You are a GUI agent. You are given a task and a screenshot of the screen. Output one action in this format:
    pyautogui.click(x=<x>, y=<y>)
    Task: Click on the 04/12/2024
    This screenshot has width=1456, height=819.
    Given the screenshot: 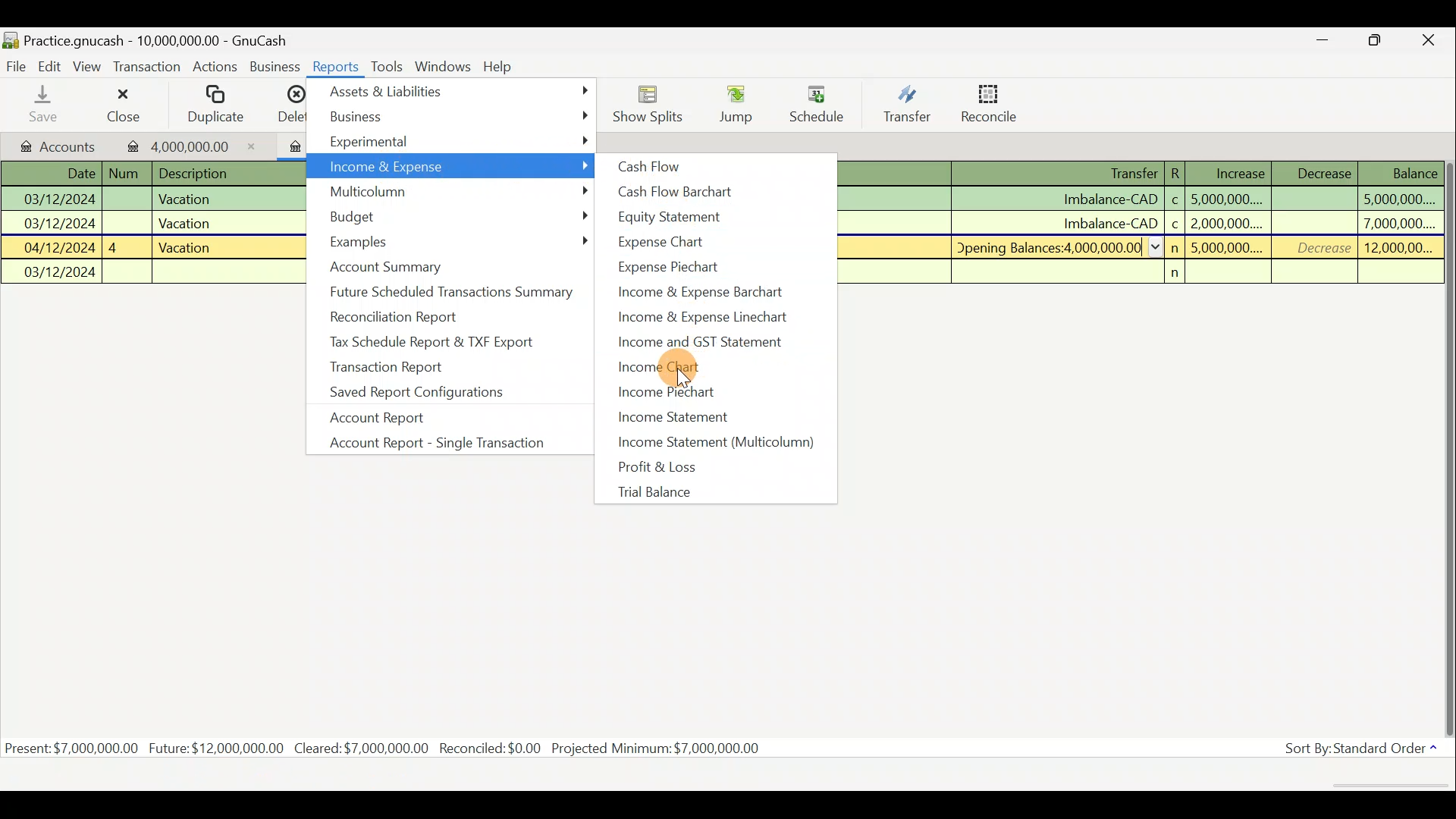 What is the action you would take?
    pyautogui.click(x=59, y=246)
    